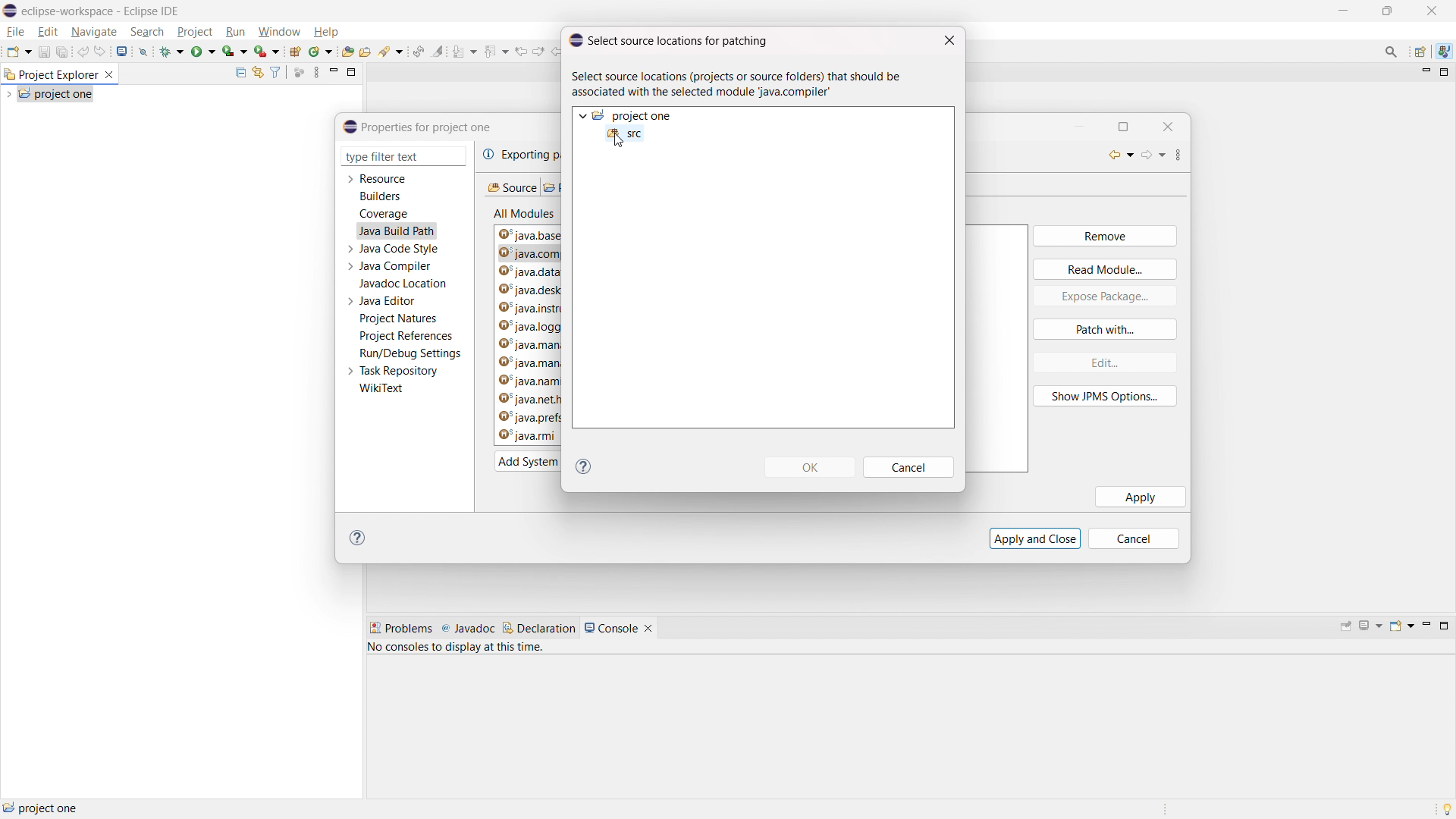  What do you see at coordinates (1392, 51) in the screenshot?
I see `access commands and other items` at bounding box center [1392, 51].